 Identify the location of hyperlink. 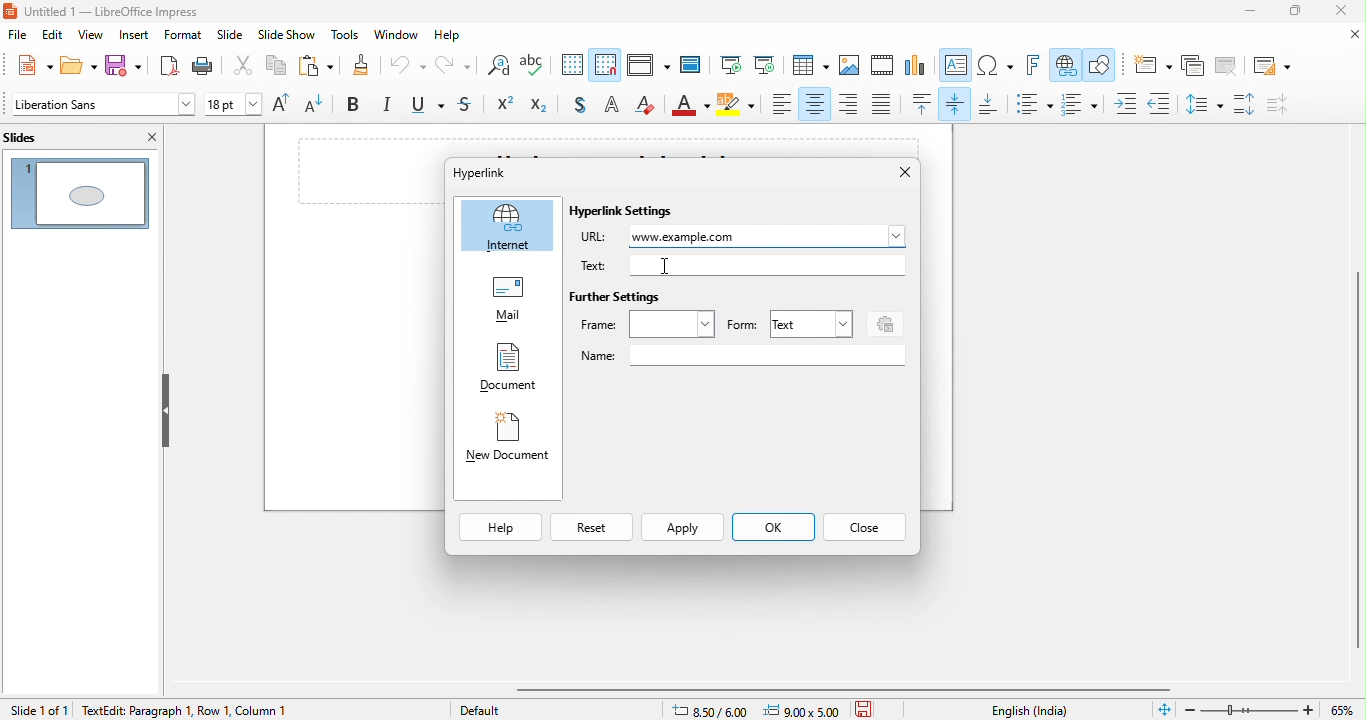
(1065, 66).